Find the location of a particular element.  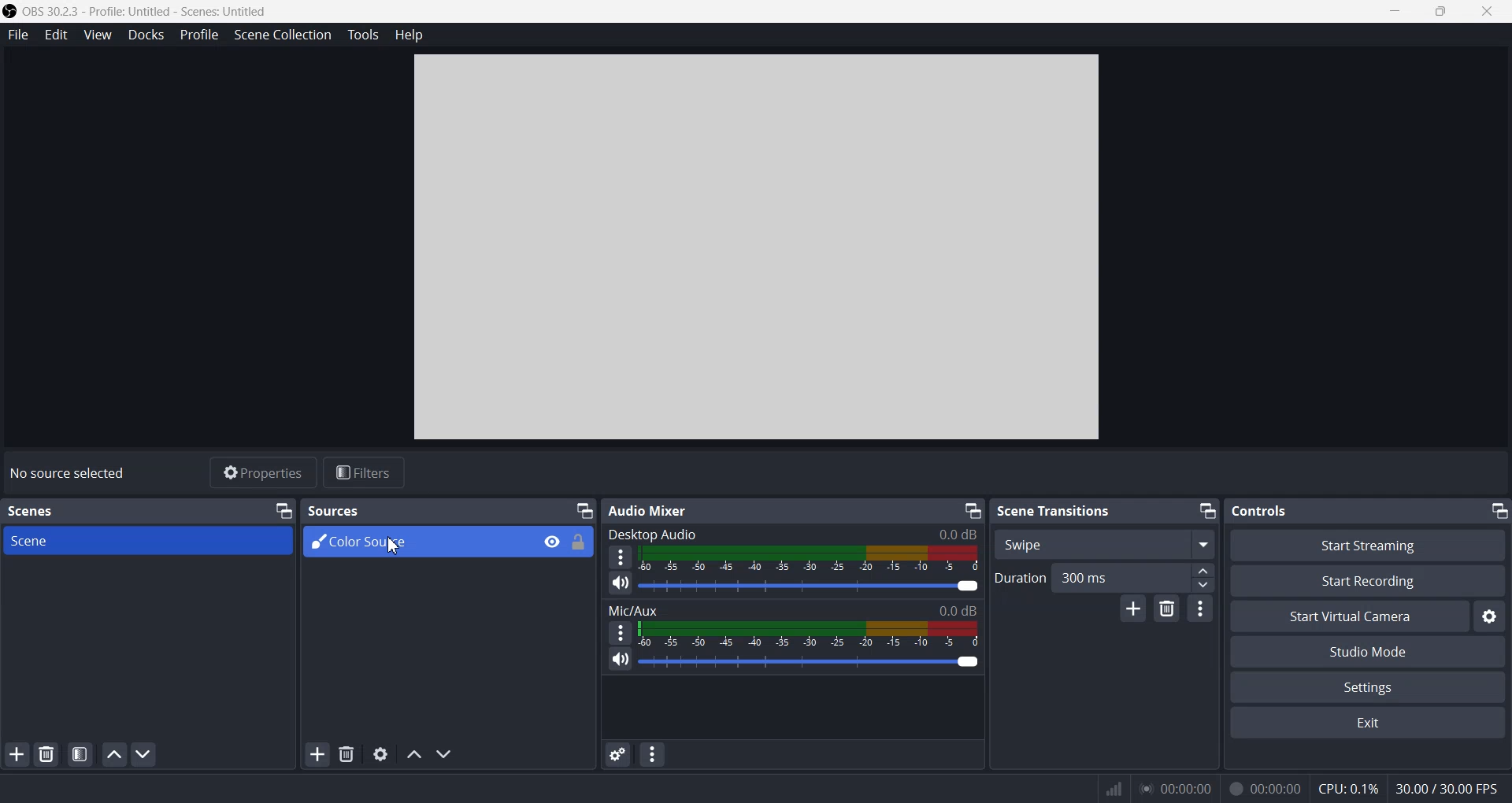

Move Scene Down is located at coordinates (146, 753).